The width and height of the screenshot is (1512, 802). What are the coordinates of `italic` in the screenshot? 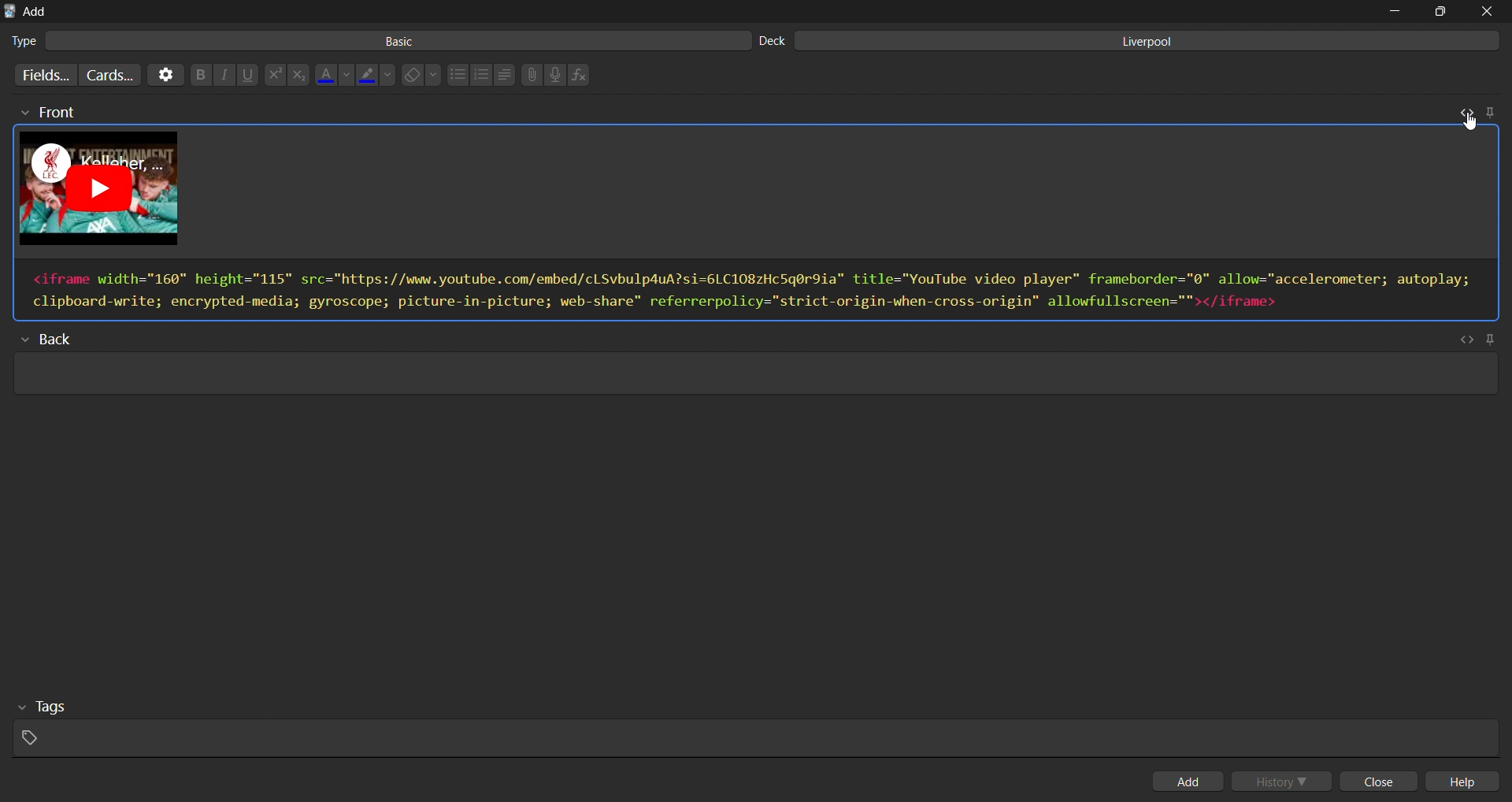 It's located at (223, 76).